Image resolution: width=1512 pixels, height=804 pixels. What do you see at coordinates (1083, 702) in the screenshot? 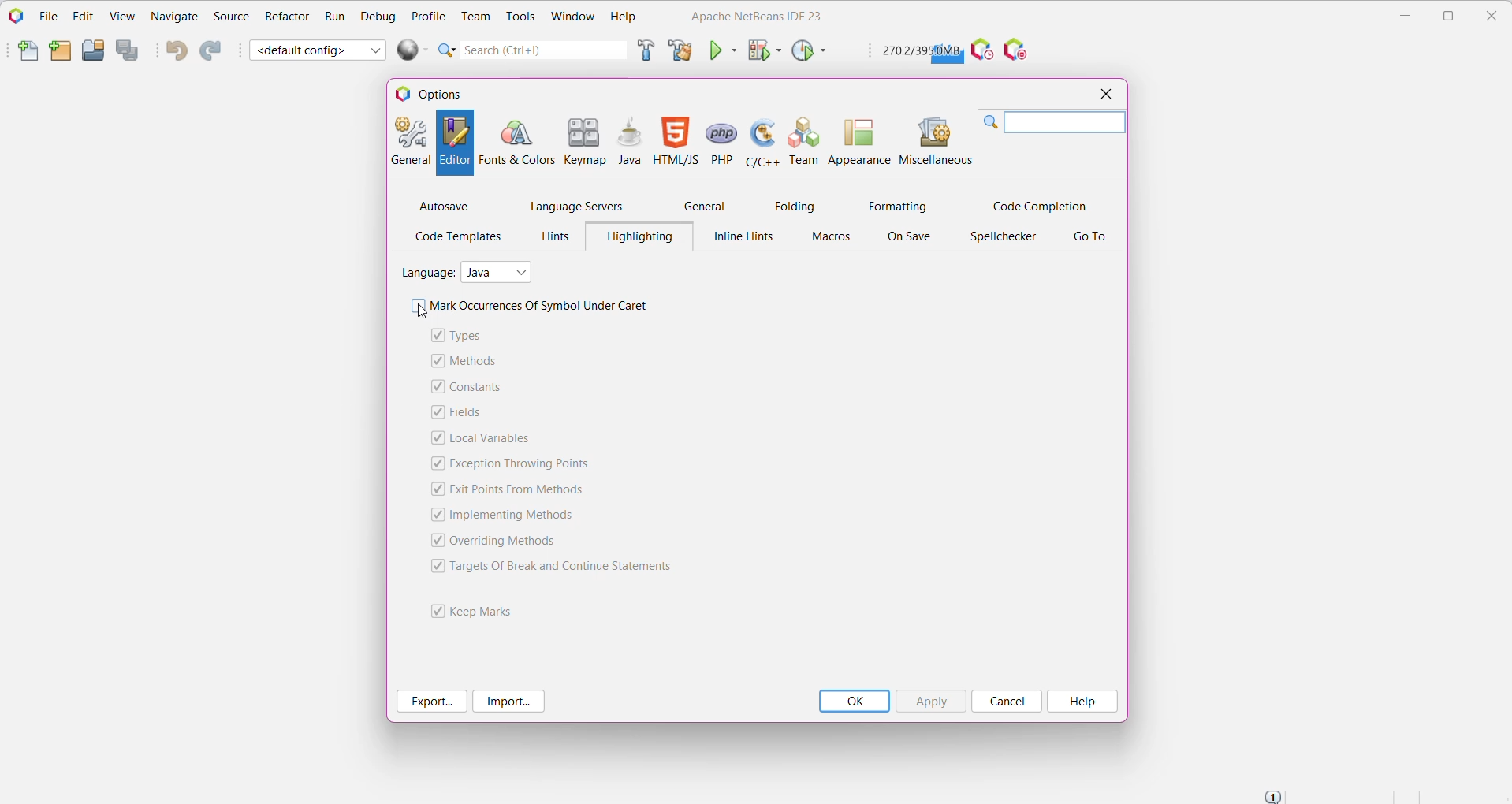
I see `Help` at bounding box center [1083, 702].